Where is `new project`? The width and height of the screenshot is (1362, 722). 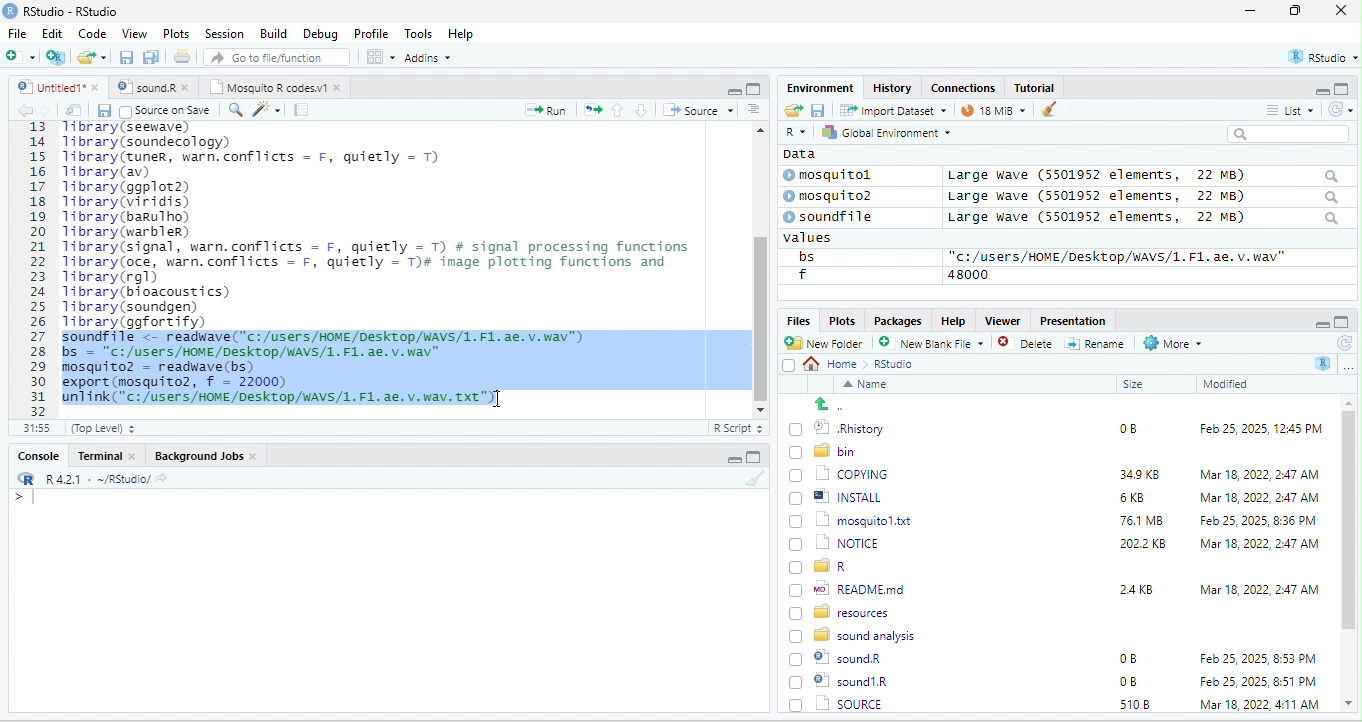 new project is located at coordinates (57, 57).